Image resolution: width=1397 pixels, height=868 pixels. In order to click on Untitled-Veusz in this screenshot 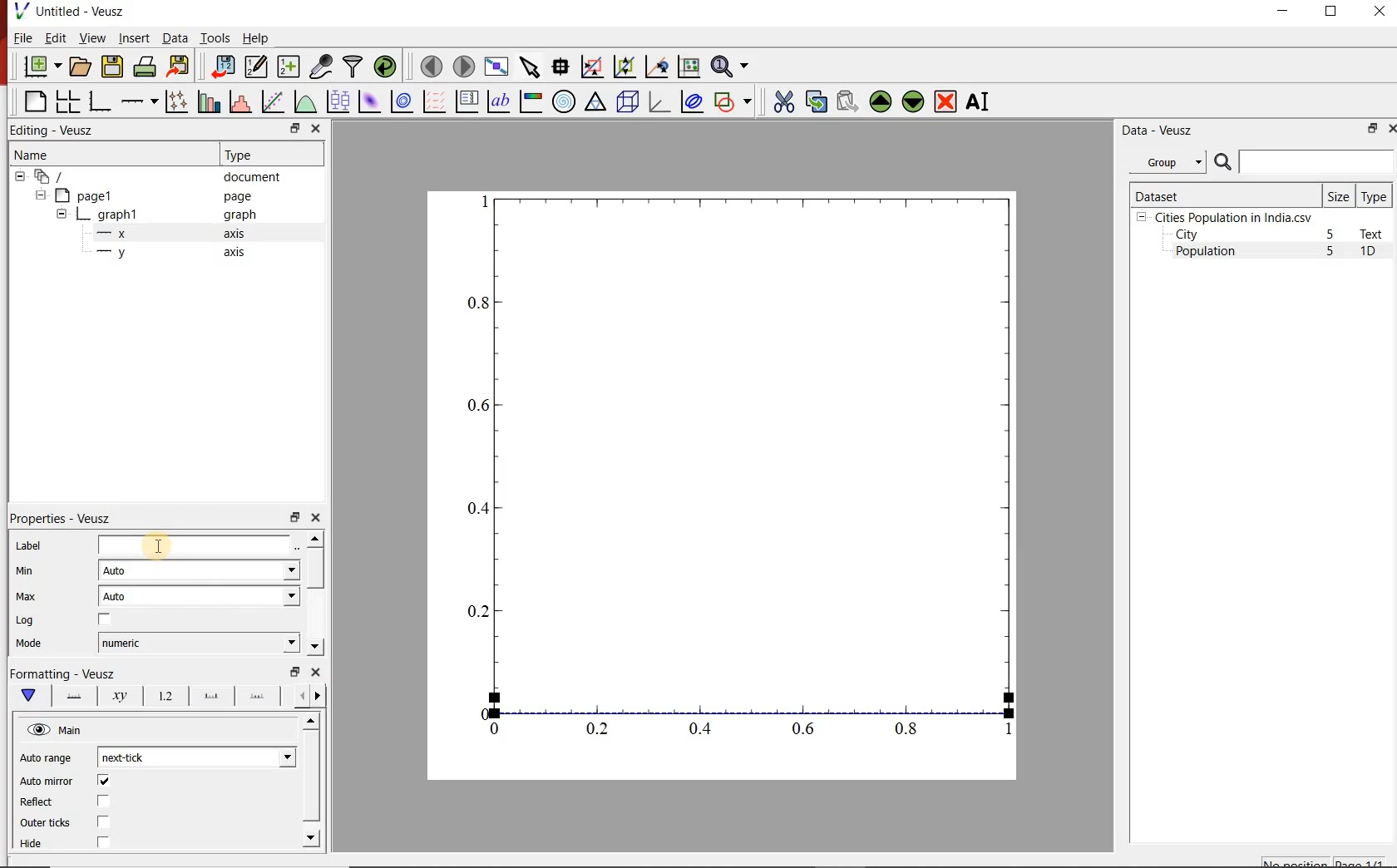, I will do `click(71, 12)`.